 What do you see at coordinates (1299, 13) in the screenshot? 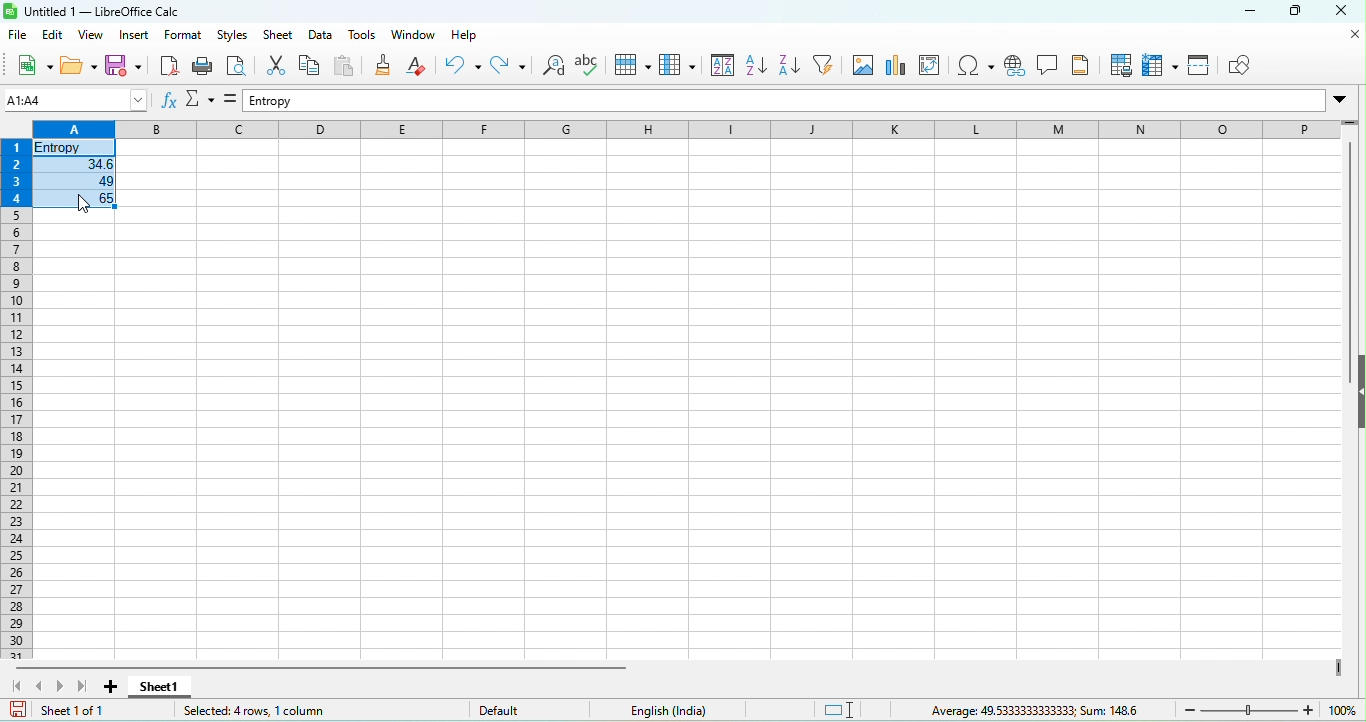
I see `maximize` at bounding box center [1299, 13].